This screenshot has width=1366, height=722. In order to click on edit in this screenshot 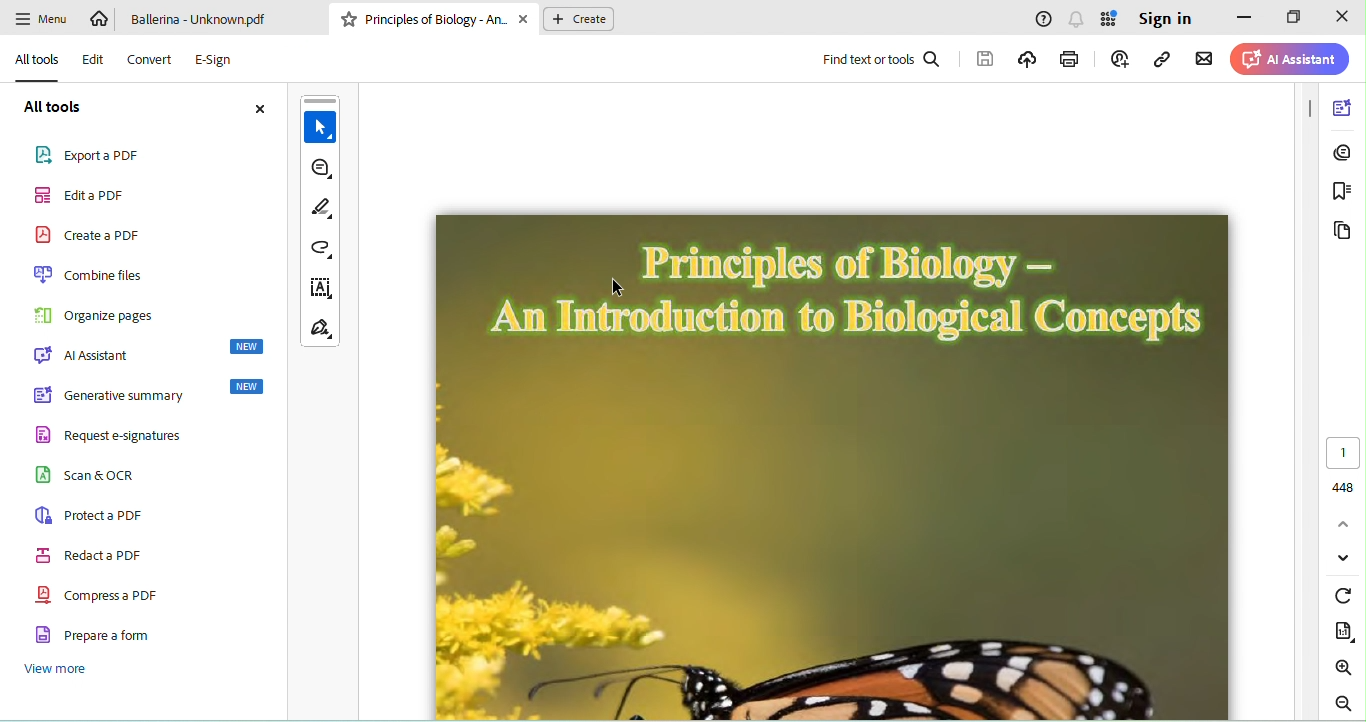, I will do `click(93, 60)`.